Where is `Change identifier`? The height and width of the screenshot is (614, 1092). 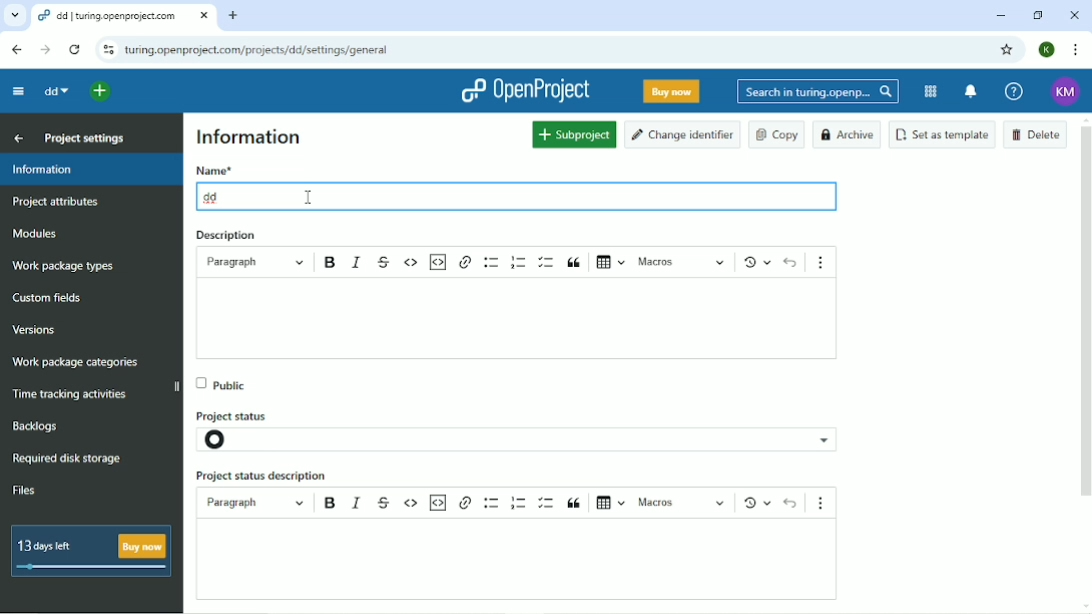 Change identifier is located at coordinates (683, 135).